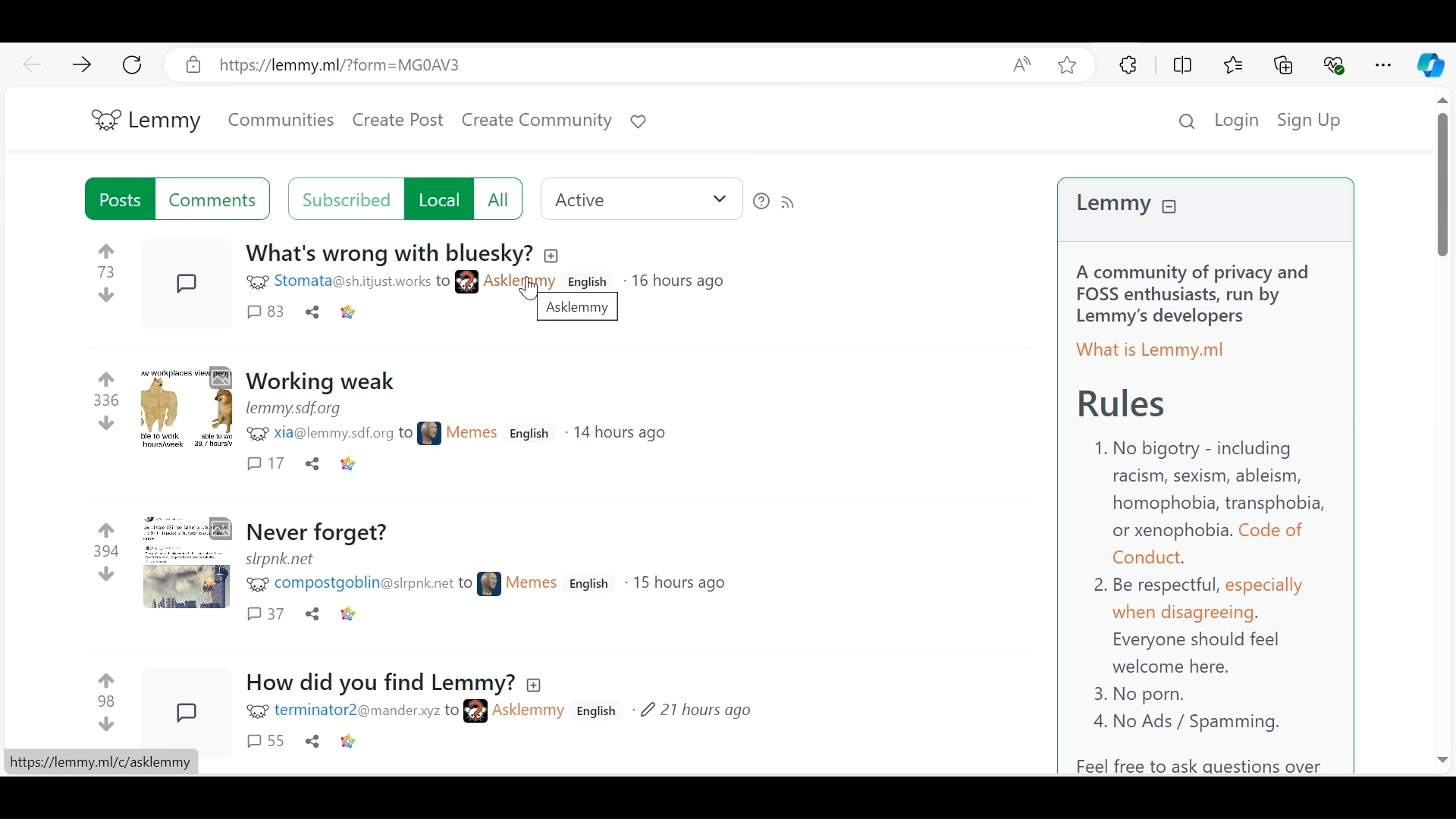 The height and width of the screenshot is (819, 1456). What do you see at coordinates (531, 290) in the screenshot?
I see `Cursor` at bounding box center [531, 290].